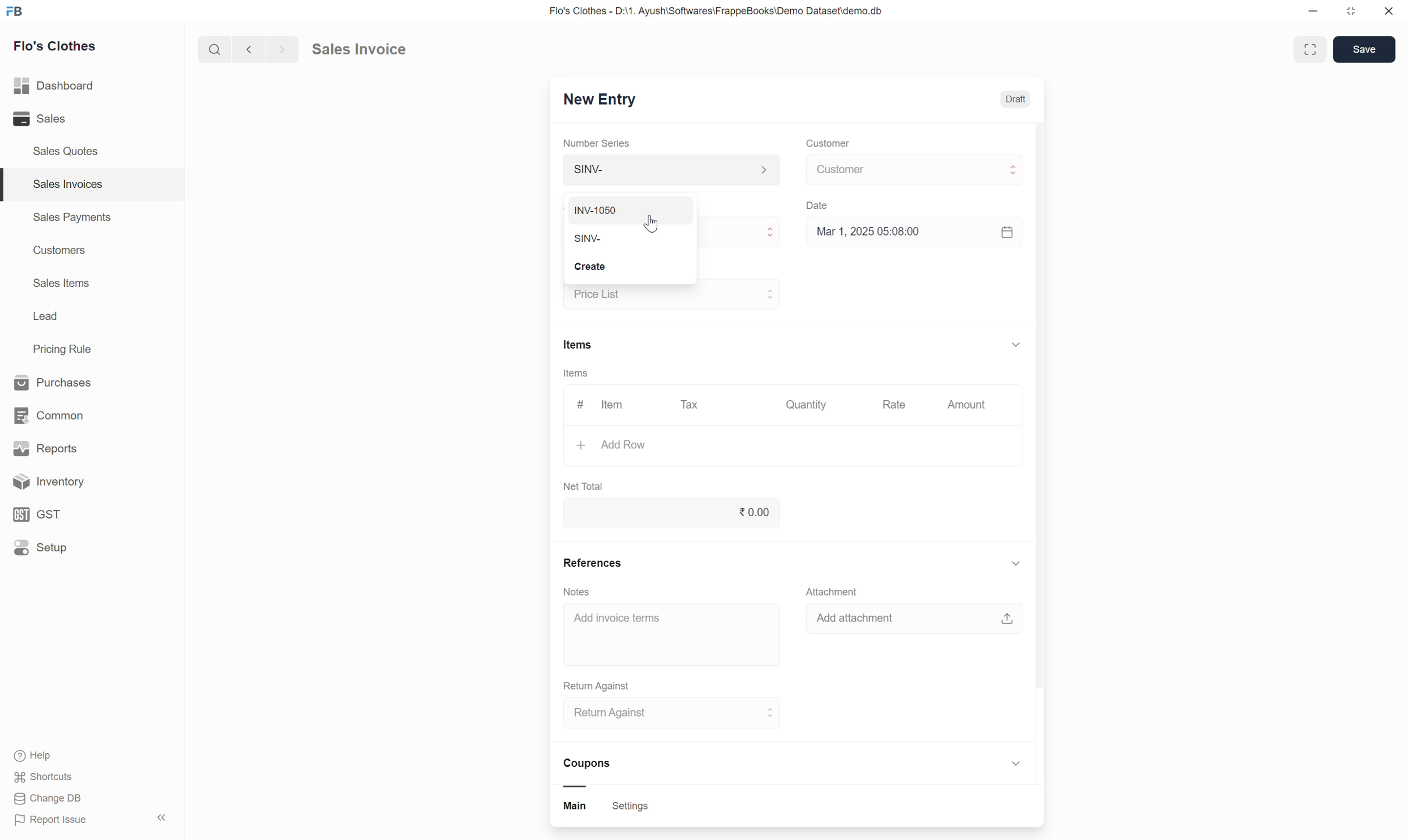 The height and width of the screenshot is (840, 1408). Describe the element at coordinates (85, 482) in the screenshot. I see `Inventory ` at that location.